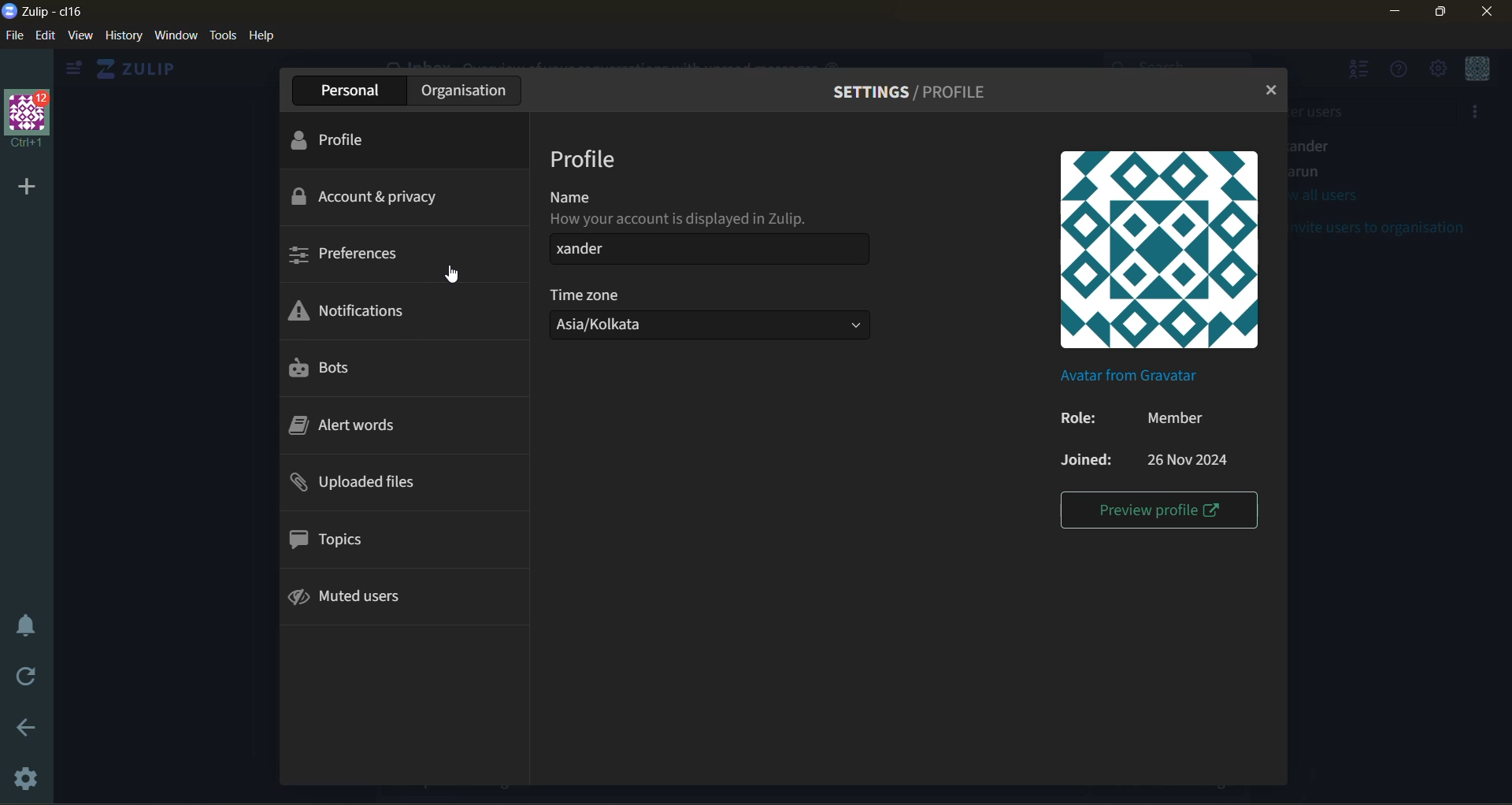 The width and height of the screenshot is (1512, 805). Describe the element at coordinates (330, 542) in the screenshot. I see `topics` at that location.